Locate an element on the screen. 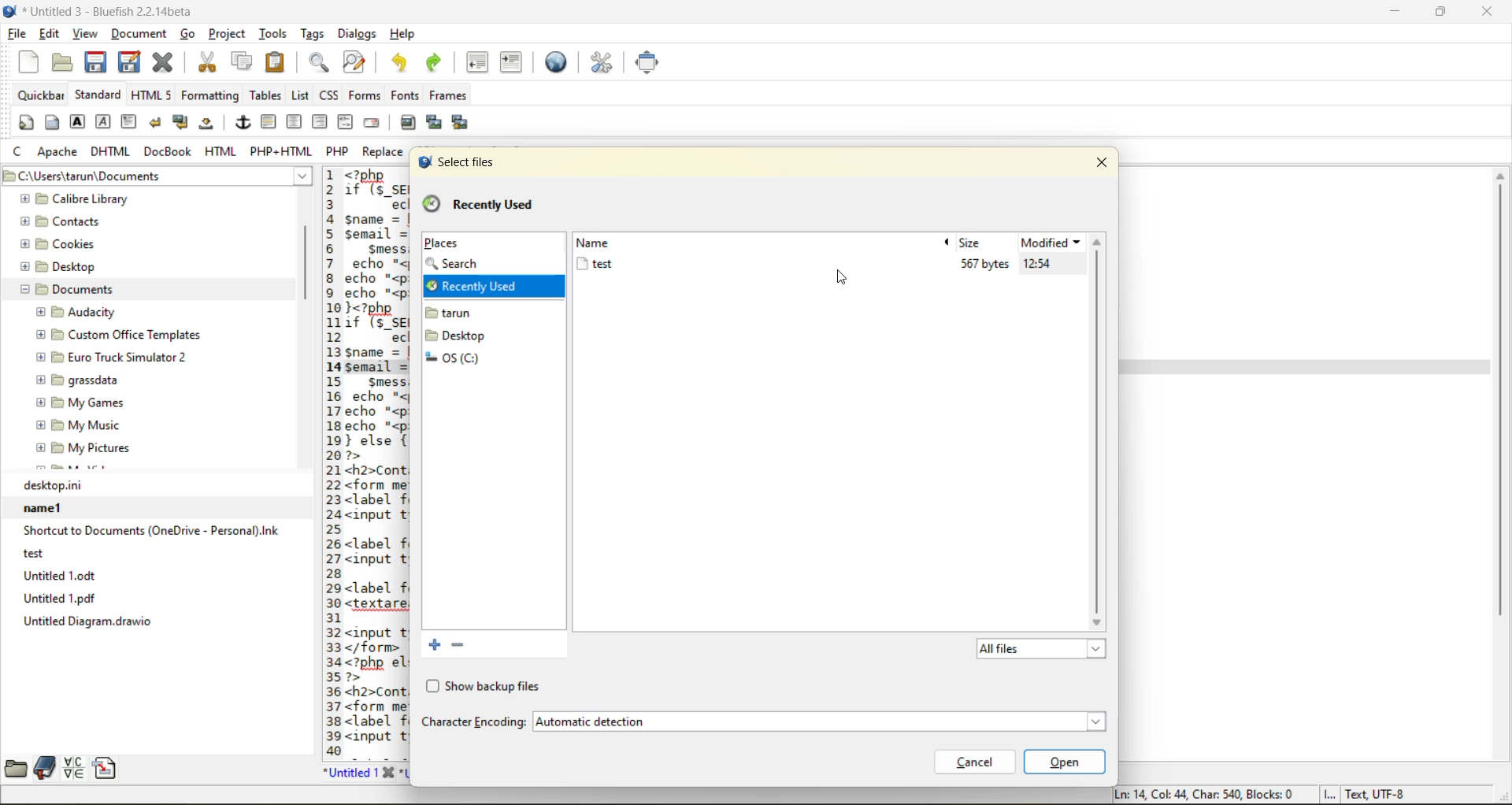 This screenshot has height=805, width=1512. list is located at coordinates (301, 96).